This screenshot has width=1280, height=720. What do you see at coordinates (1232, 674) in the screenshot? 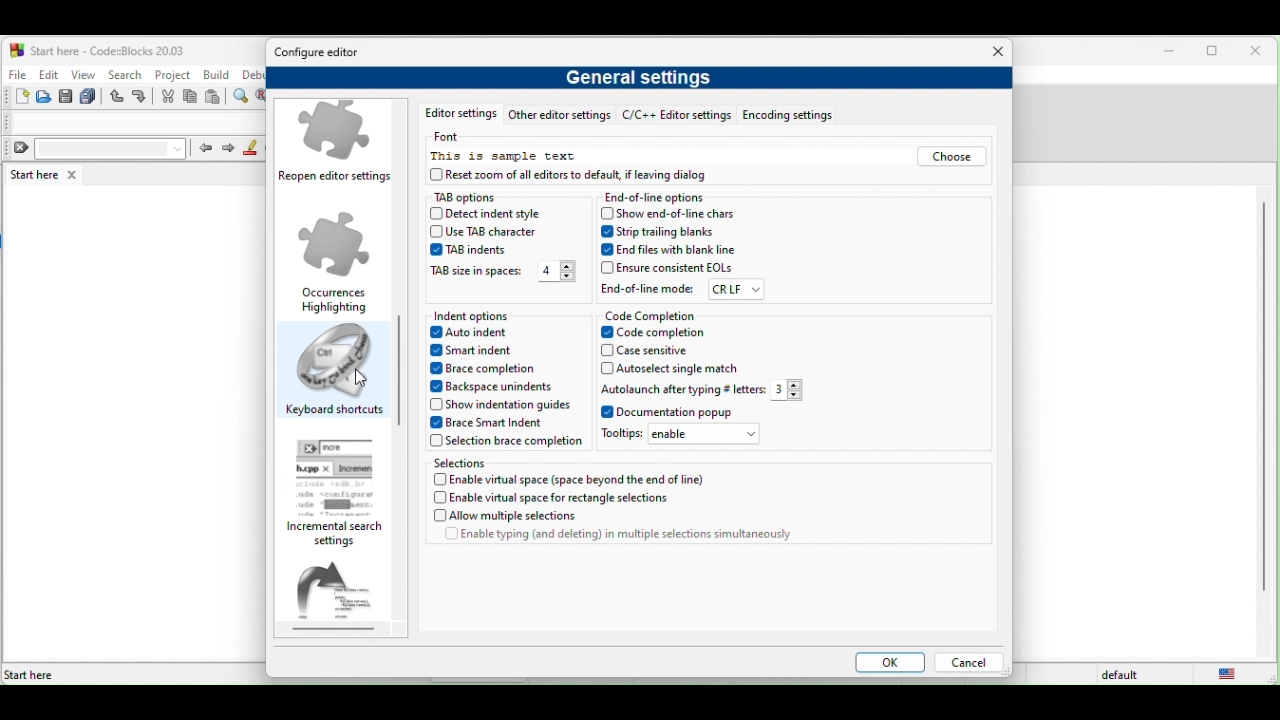
I see `united state` at bounding box center [1232, 674].